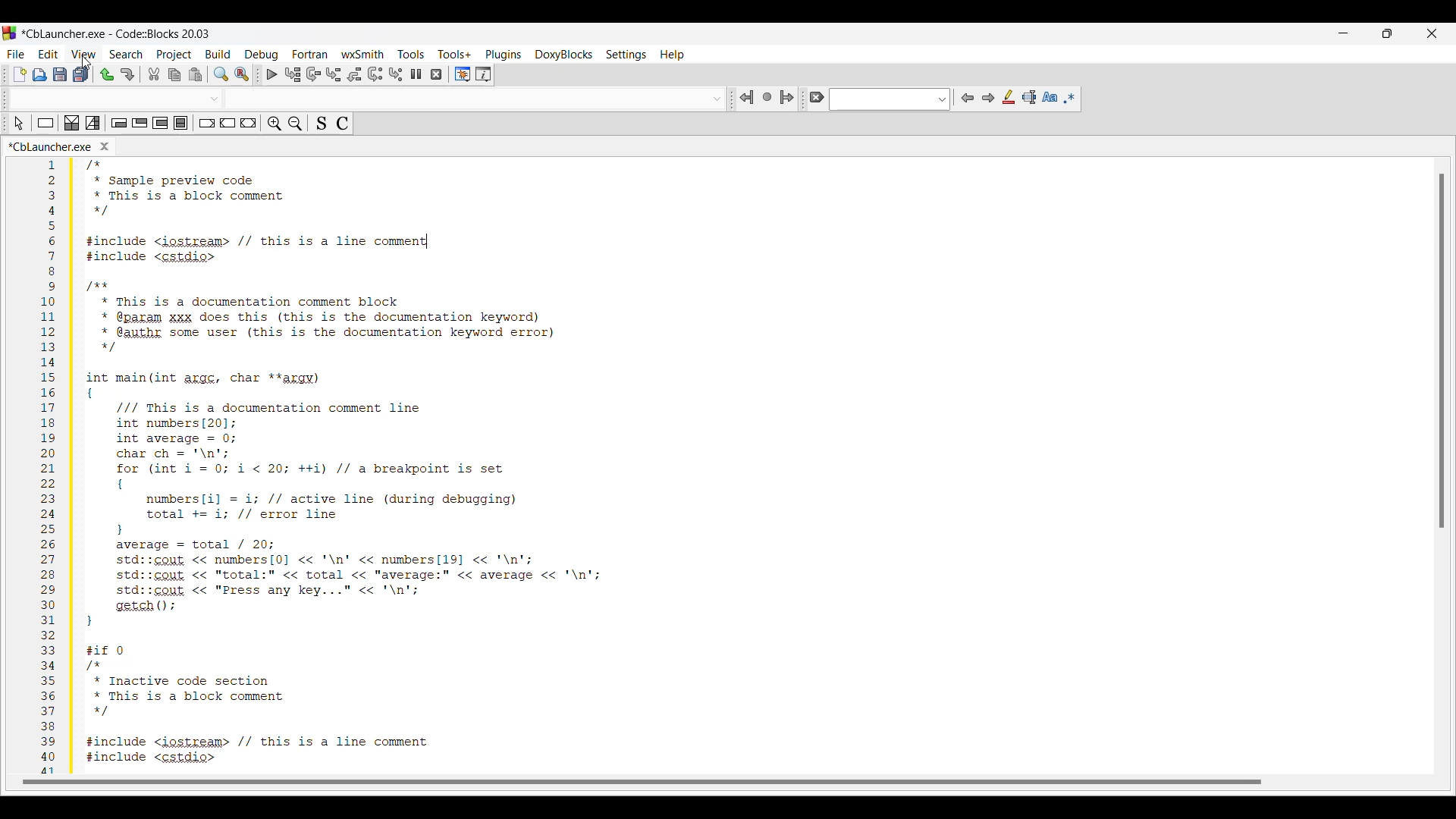  What do you see at coordinates (968, 98) in the screenshot?
I see `Previous` at bounding box center [968, 98].